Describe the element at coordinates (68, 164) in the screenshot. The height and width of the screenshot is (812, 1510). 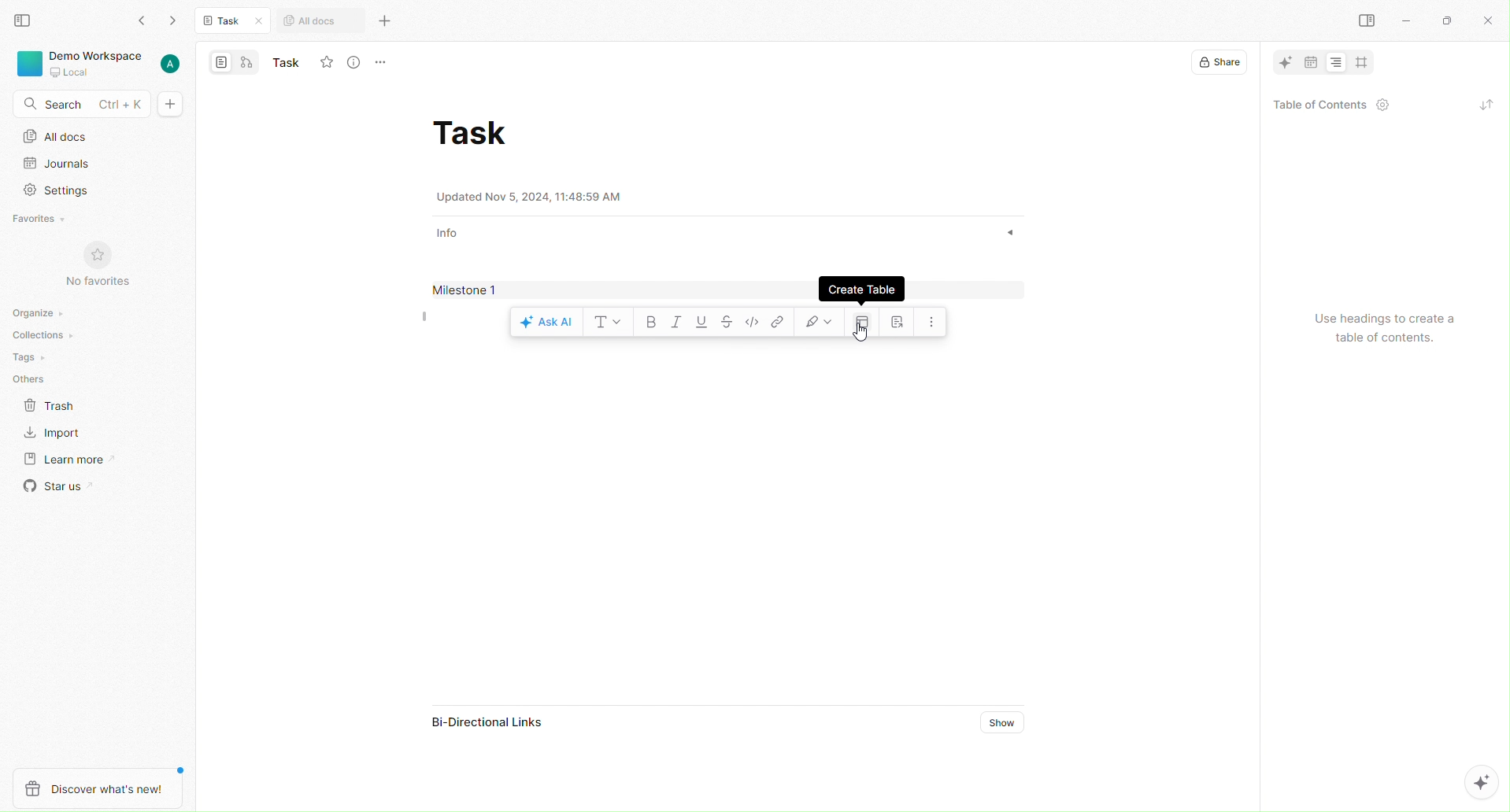
I see `Journals` at that location.